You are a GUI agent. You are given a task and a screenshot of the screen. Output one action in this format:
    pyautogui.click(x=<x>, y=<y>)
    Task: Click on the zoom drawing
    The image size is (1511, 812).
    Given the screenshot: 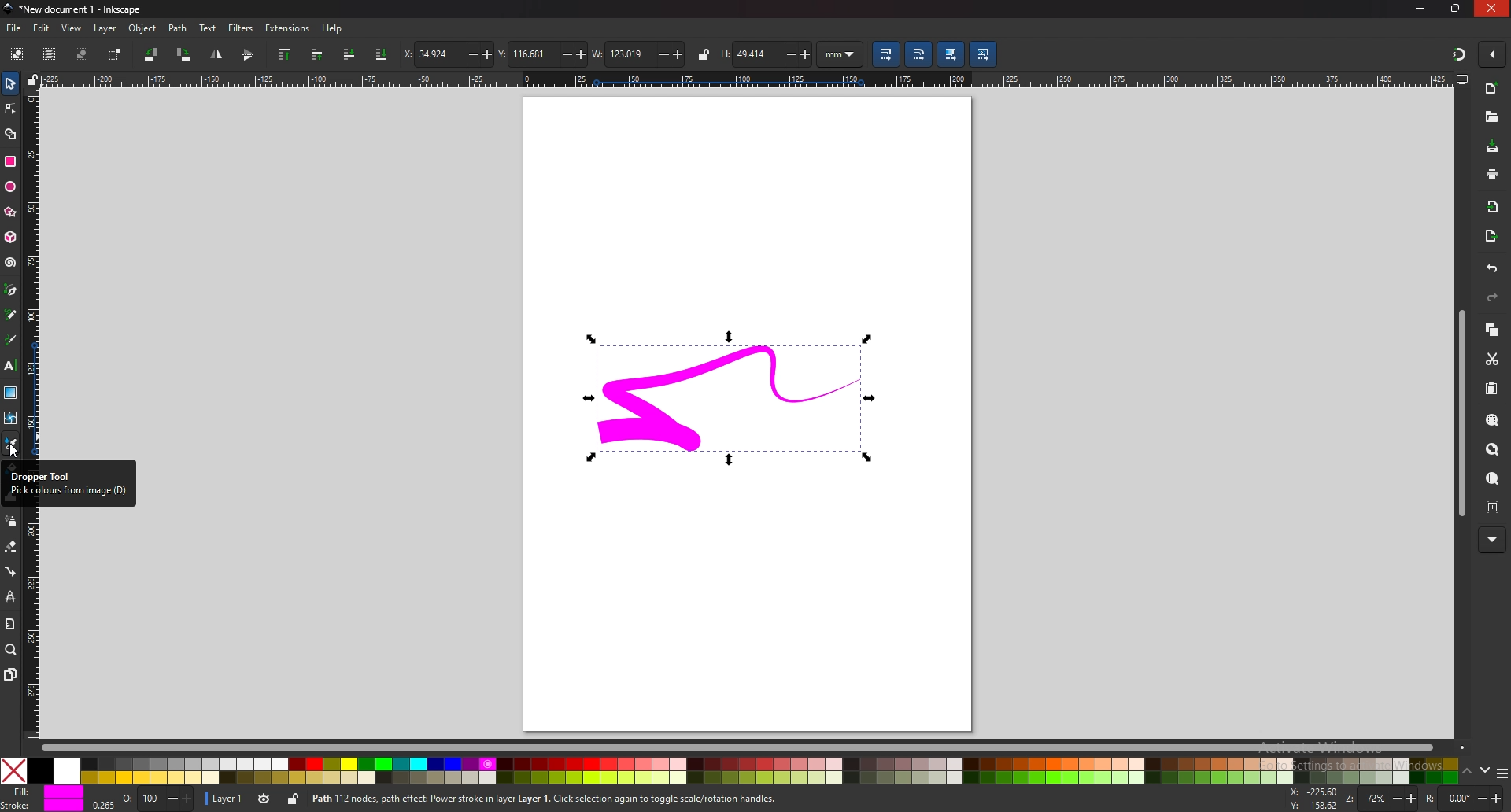 What is the action you would take?
    pyautogui.click(x=1493, y=448)
    